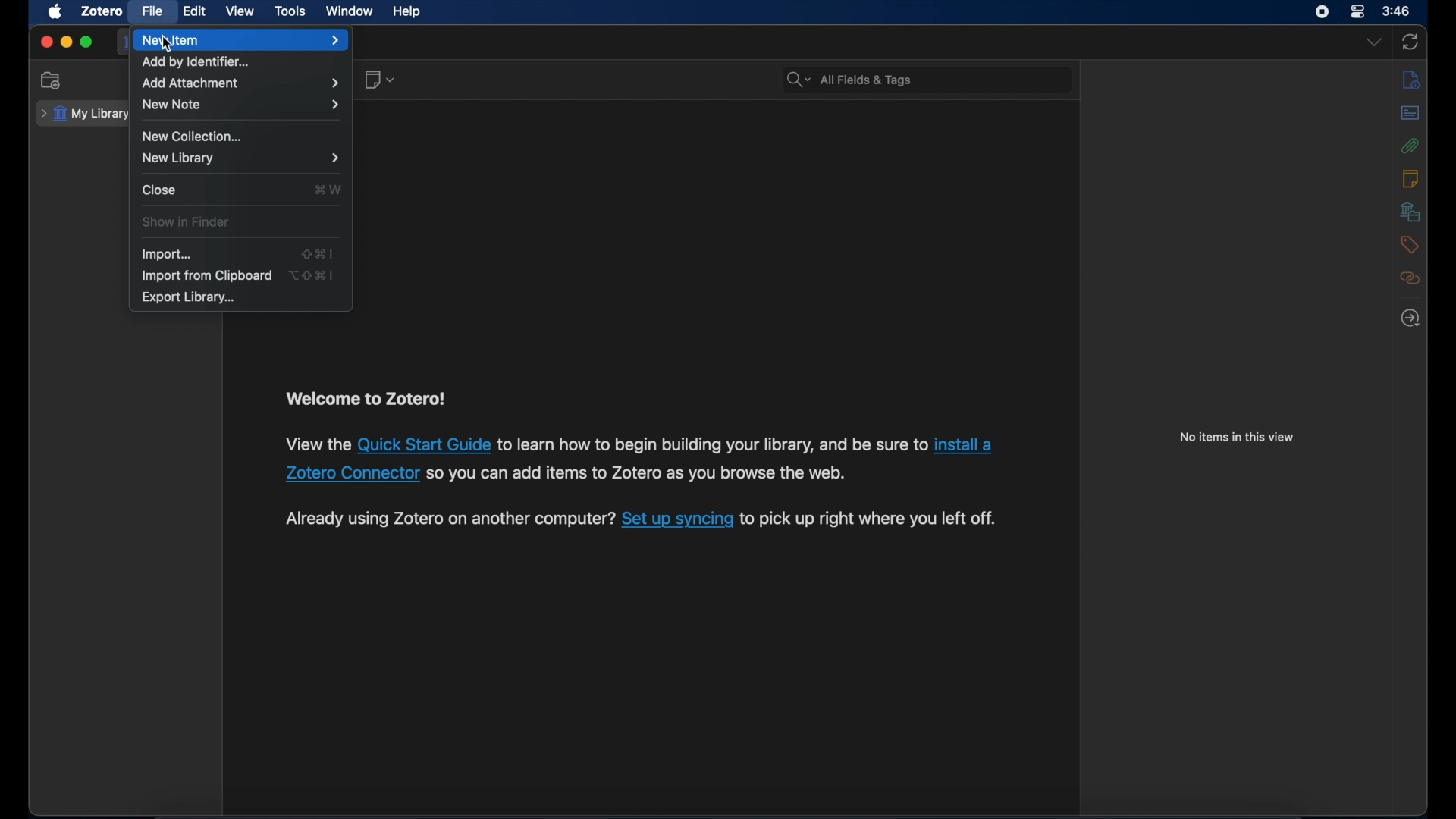 The height and width of the screenshot is (819, 1456). Describe the element at coordinates (195, 136) in the screenshot. I see `new collection` at that location.